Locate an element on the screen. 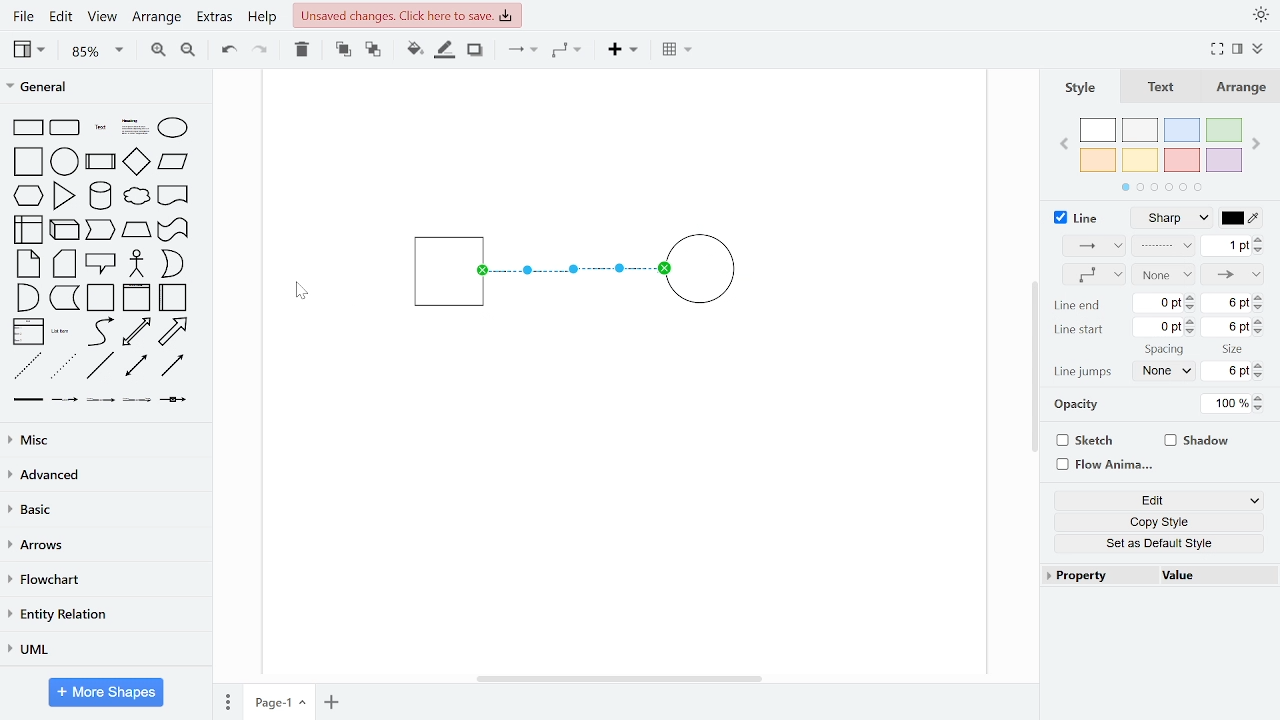  change opacity is located at coordinates (1234, 404).